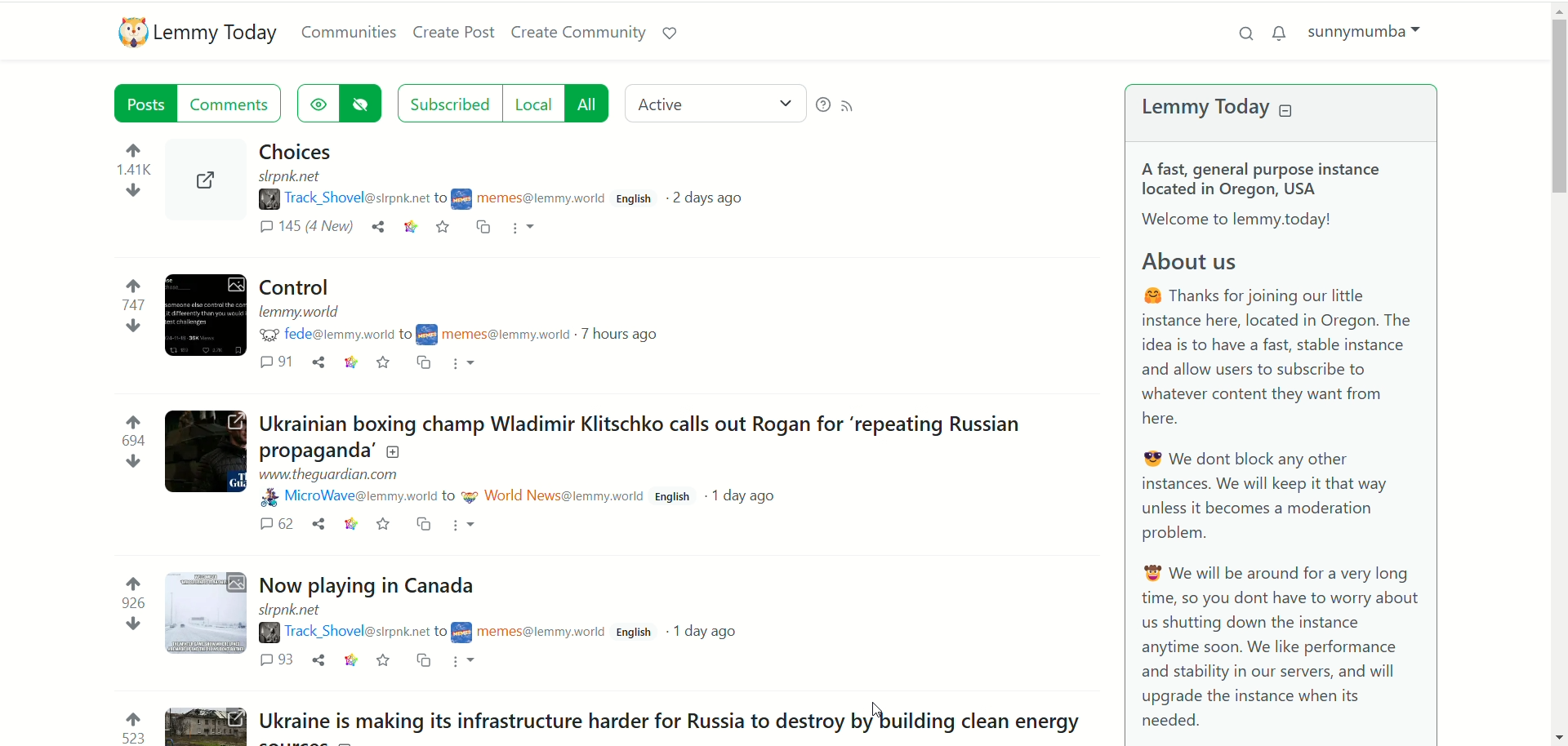 The width and height of the screenshot is (1568, 746). I want to click on votes up and down, so click(127, 303).